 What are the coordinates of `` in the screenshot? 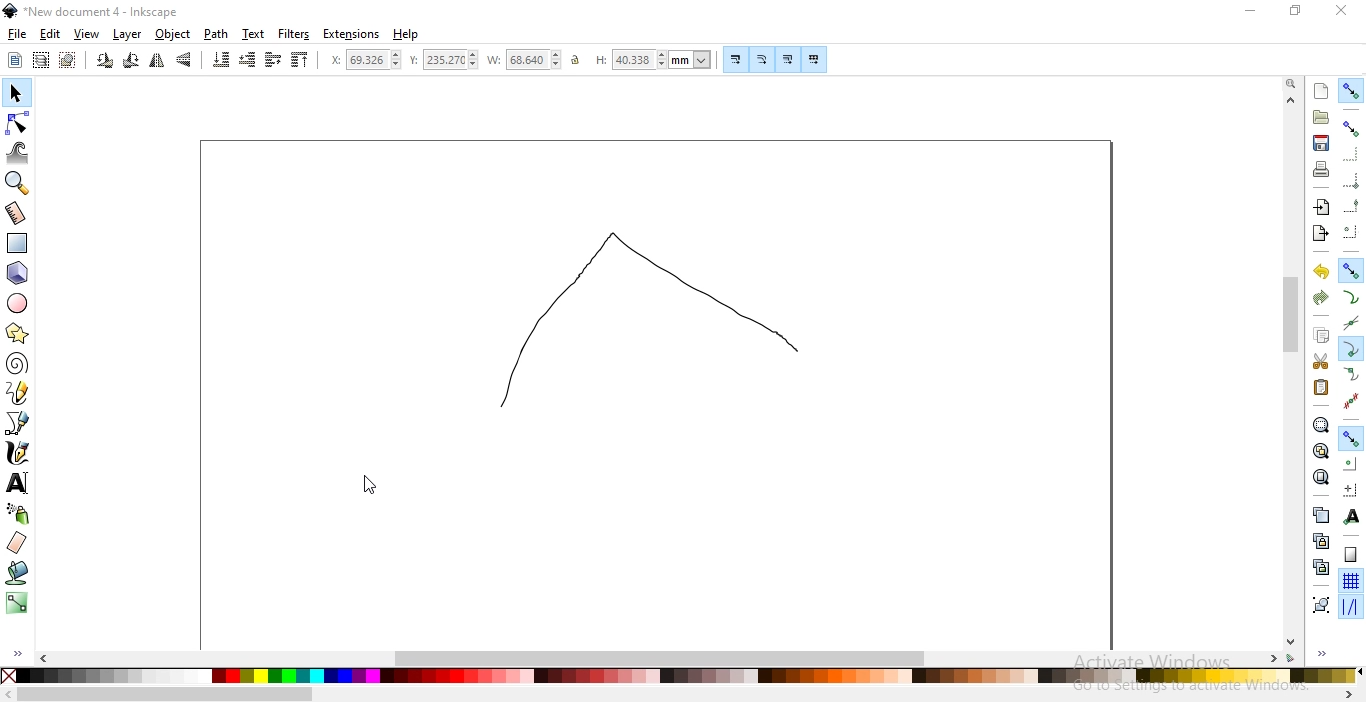 It's located at (737, 59).